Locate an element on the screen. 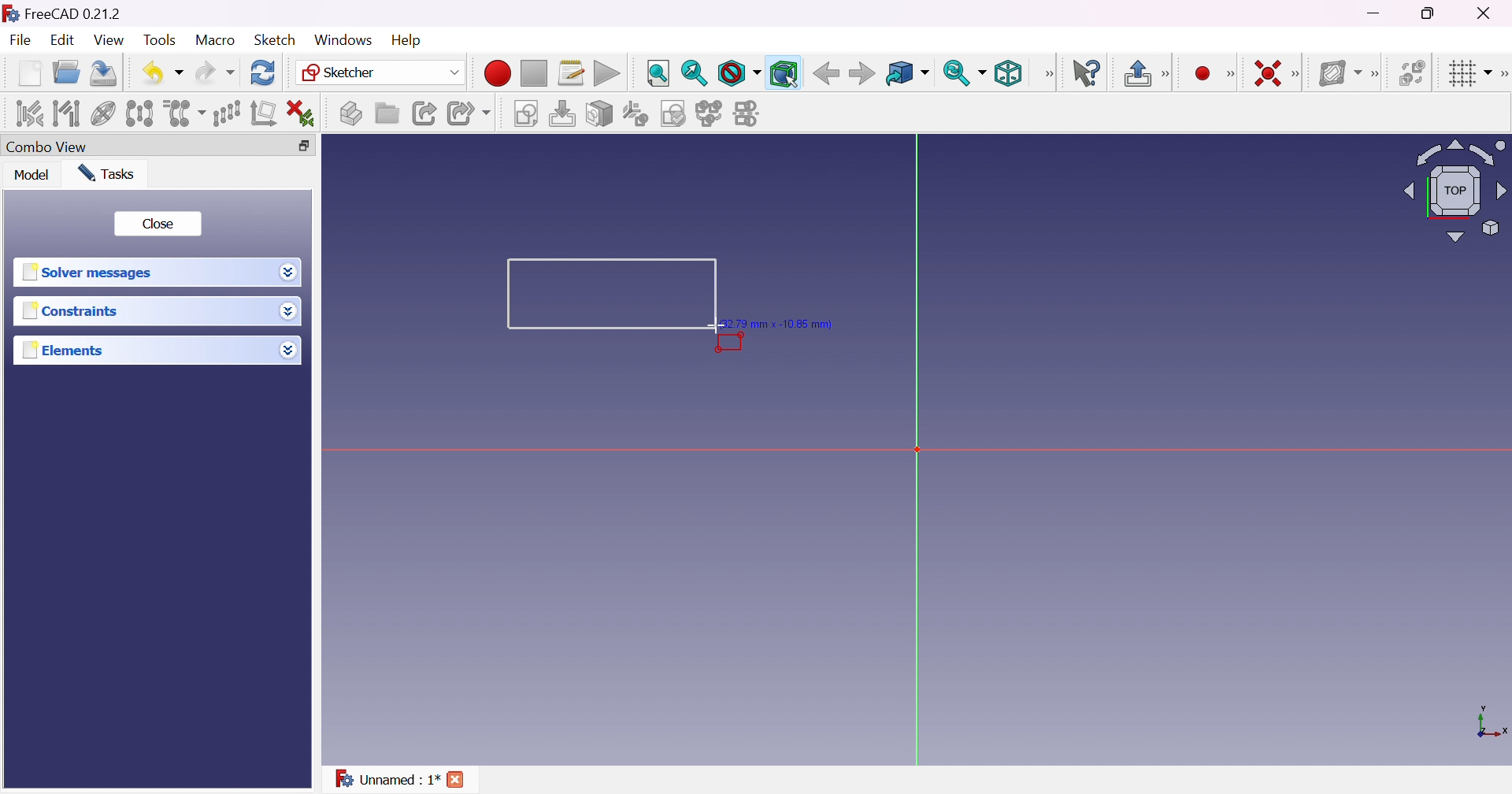  Mirror sketch... is located at coordinates (748, 113).